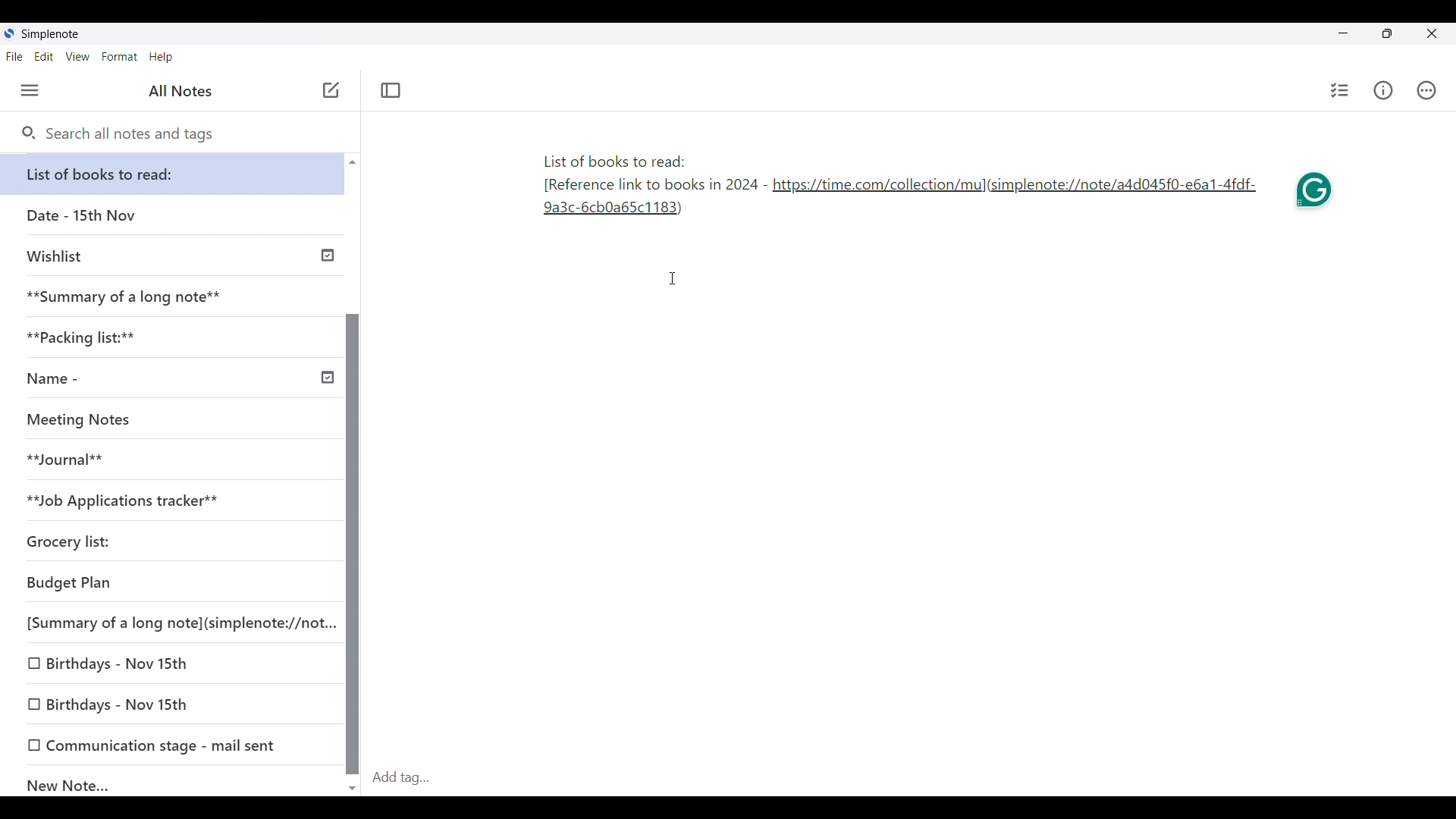 The width and height of the screenshot is (1456, 819). What do you see at coordinates (1382, 35) in the screenshot?
I see `Resize` at bounding box center [1382, 35].